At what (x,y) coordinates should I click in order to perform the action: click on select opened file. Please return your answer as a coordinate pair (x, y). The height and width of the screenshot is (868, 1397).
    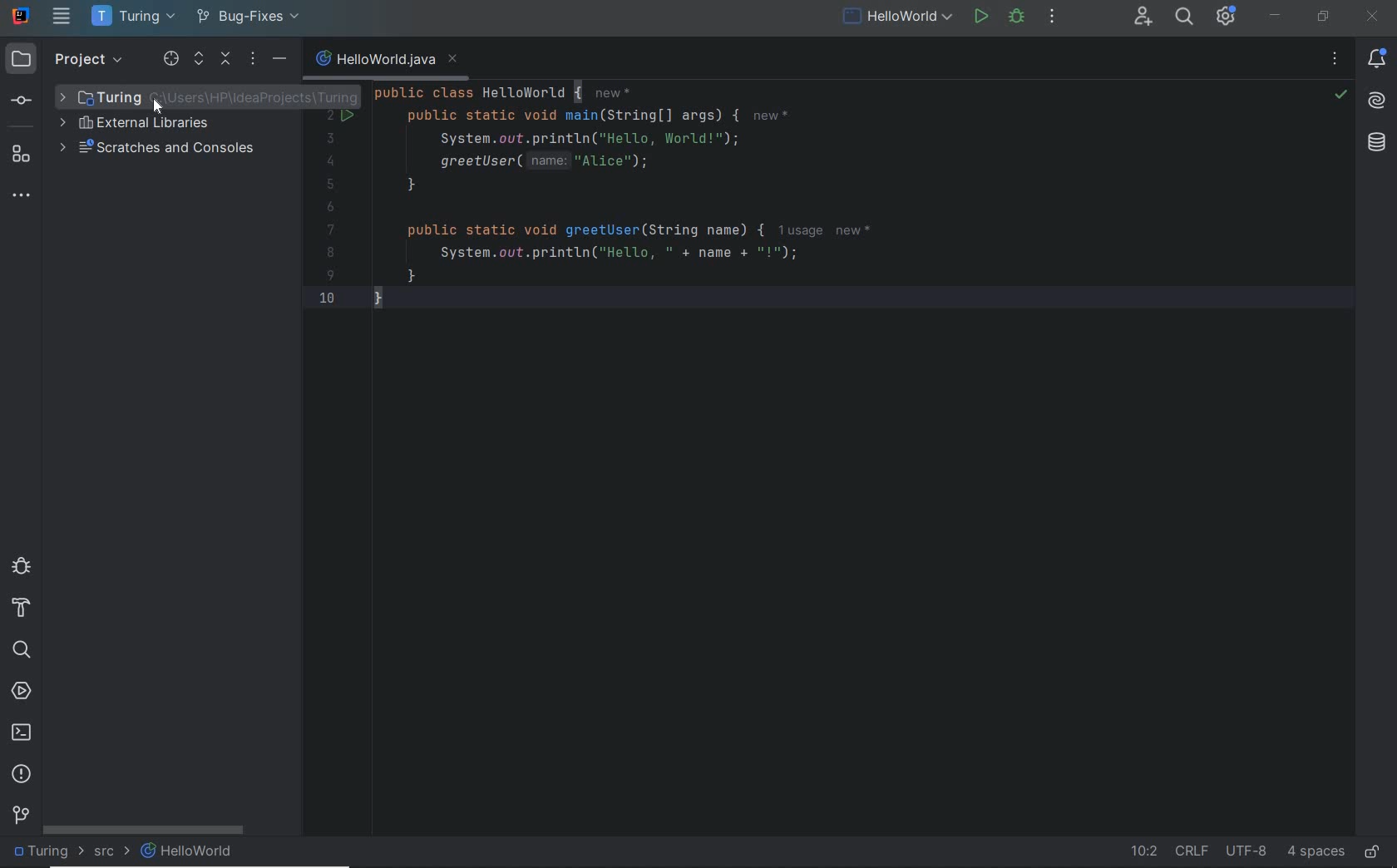
    Looking at the image, I should click on (170, 61).